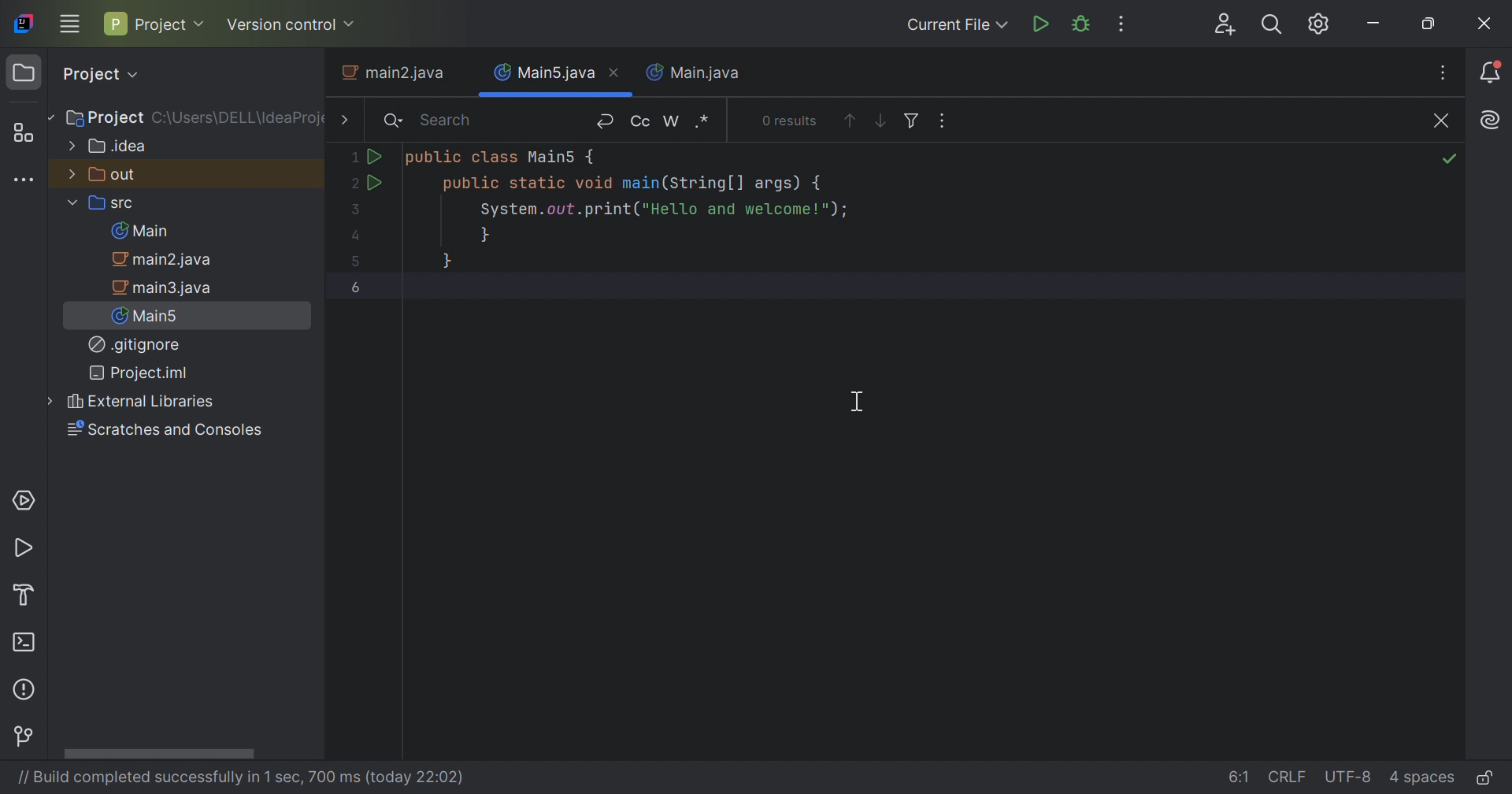  What do you see at coordinates (954, 24) in the screenshot?
I see `Current File` at bounding box center [954, 24].